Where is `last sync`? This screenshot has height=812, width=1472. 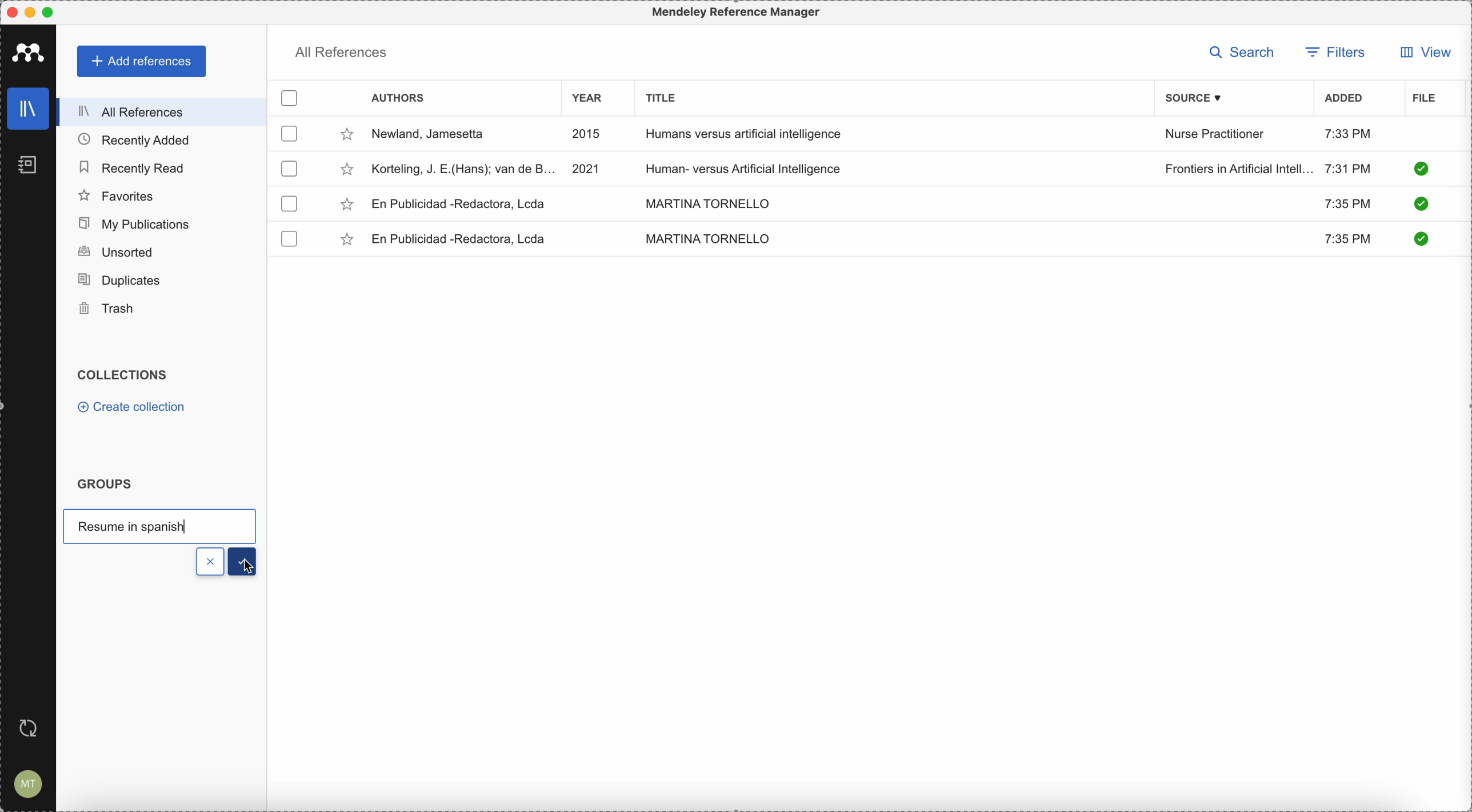 last sync is located at coordinates (26, 729).